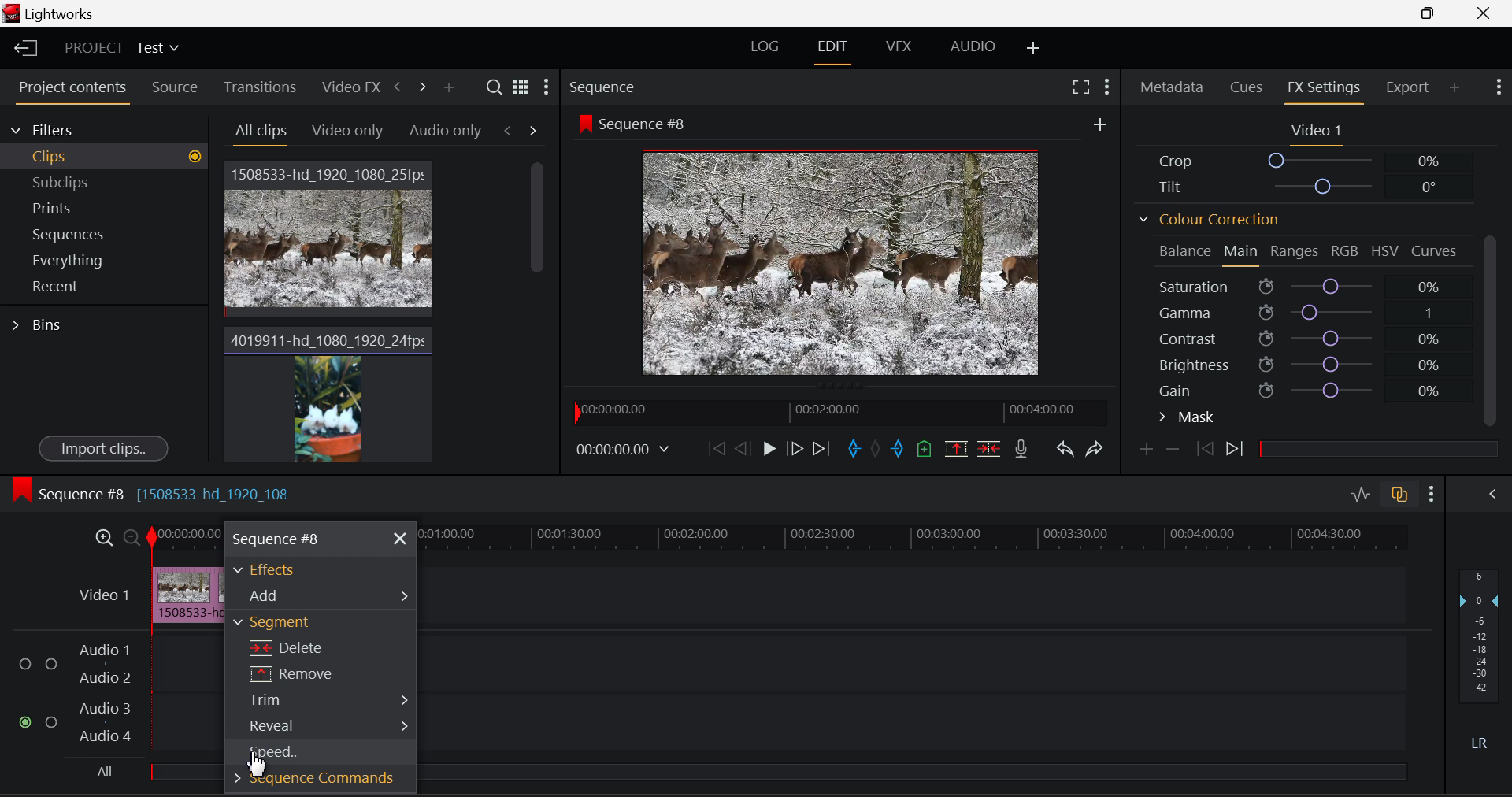 Image resolution: width=1512 pixels, height=797 pixels. Describe the element at coordinates (1477, 743) in the screenshot. I see `Left Round Sound Button` at that location.